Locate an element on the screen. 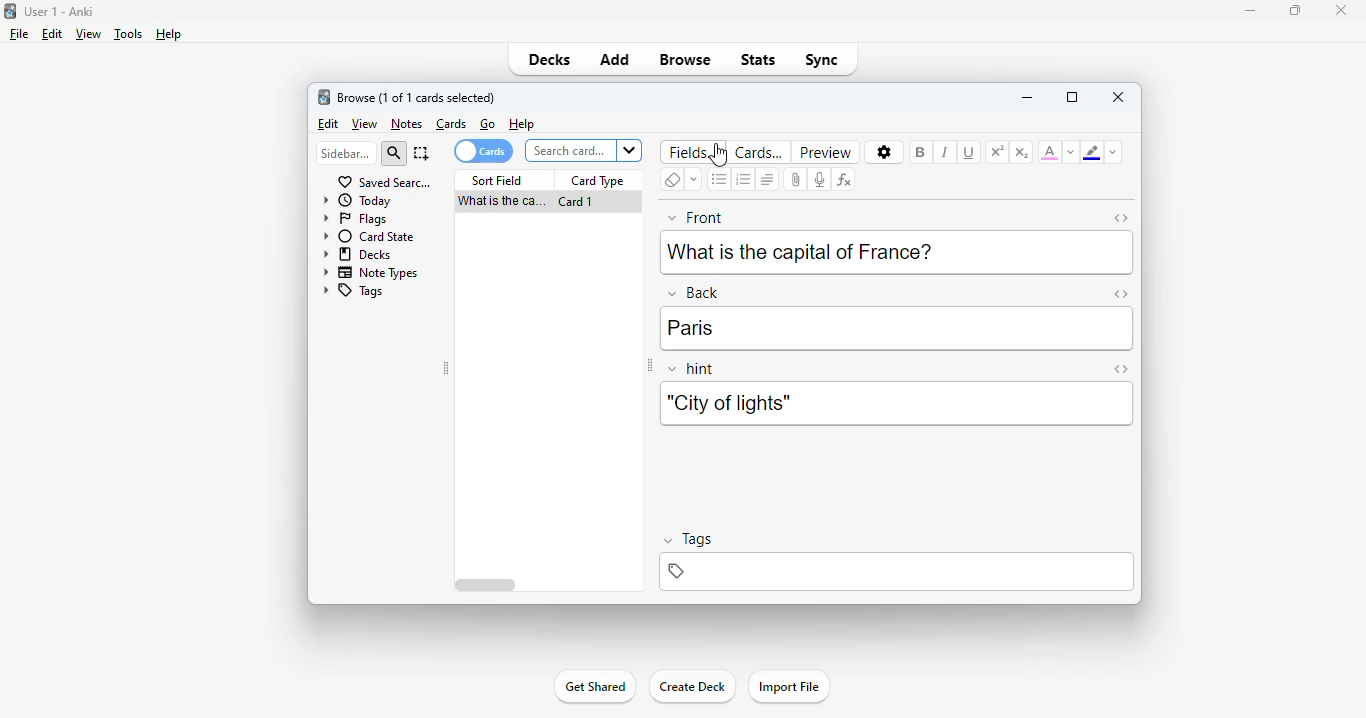 The image size is (1366, 718). decks is located at coordinates (550, 59).